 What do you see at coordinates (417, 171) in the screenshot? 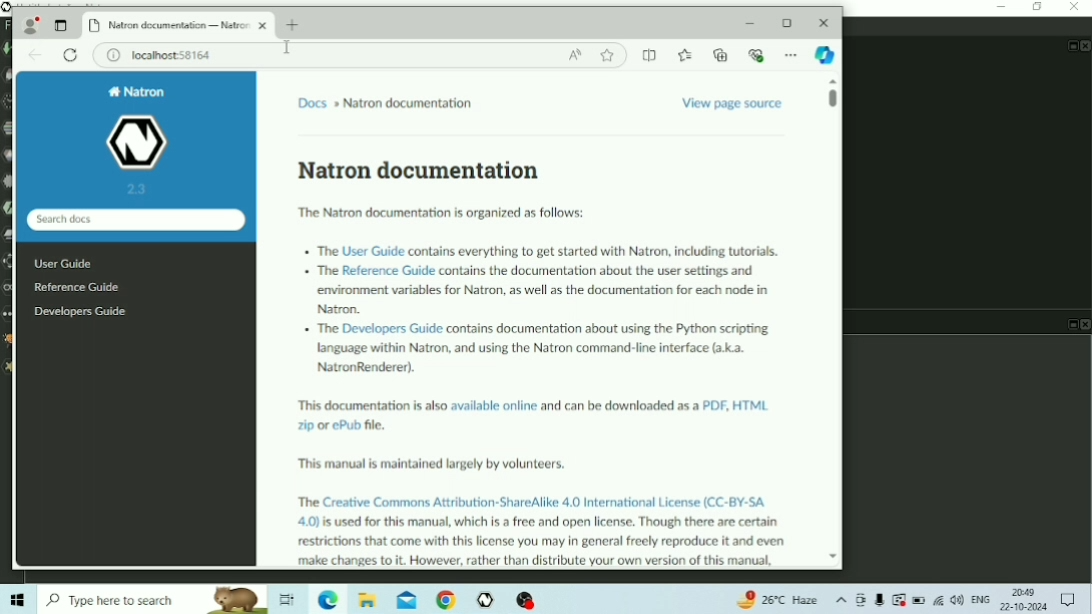
I see `Natron documentation` at bounding box center [417, 171].